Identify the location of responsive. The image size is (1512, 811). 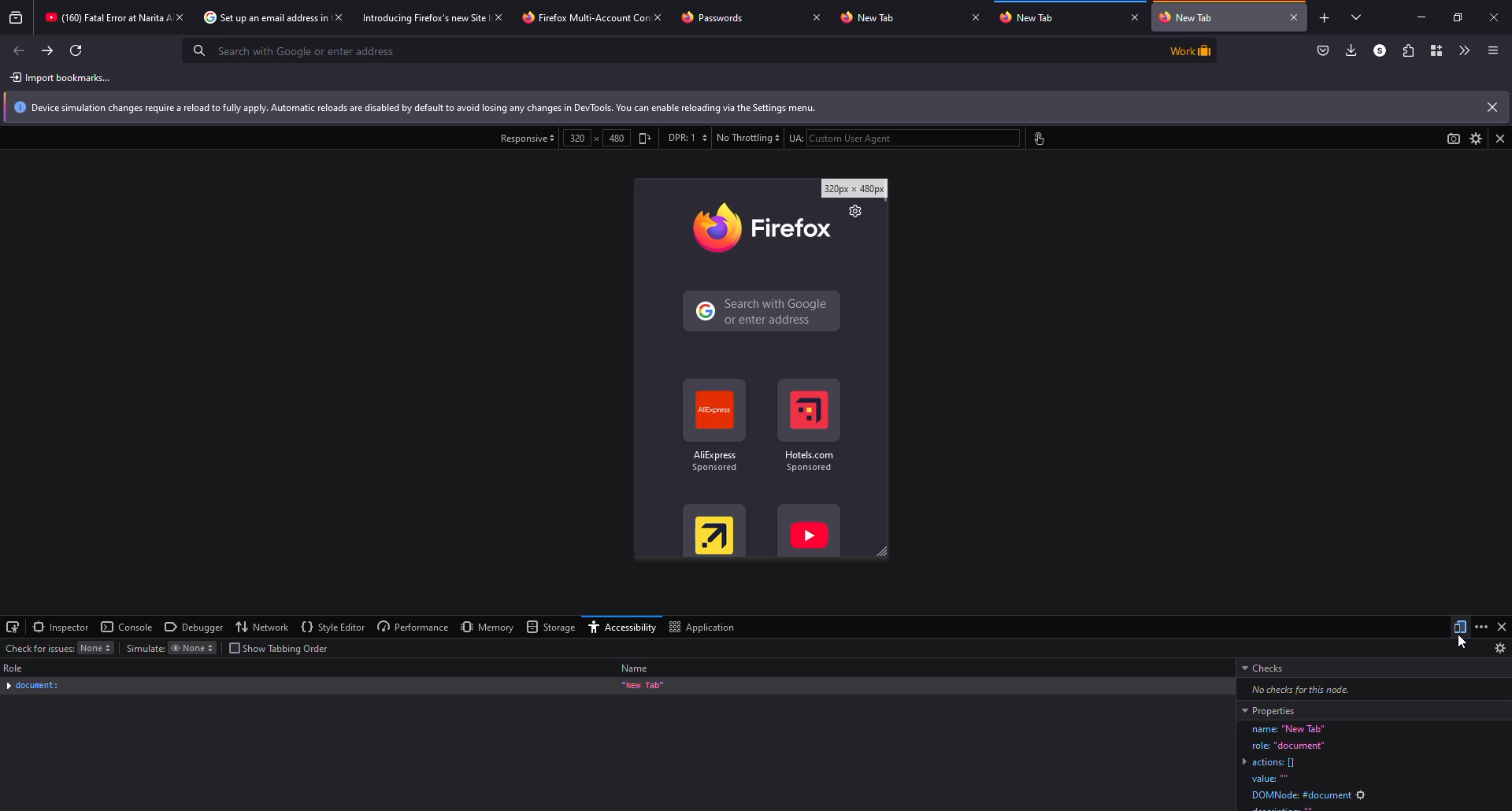
(527, 139).